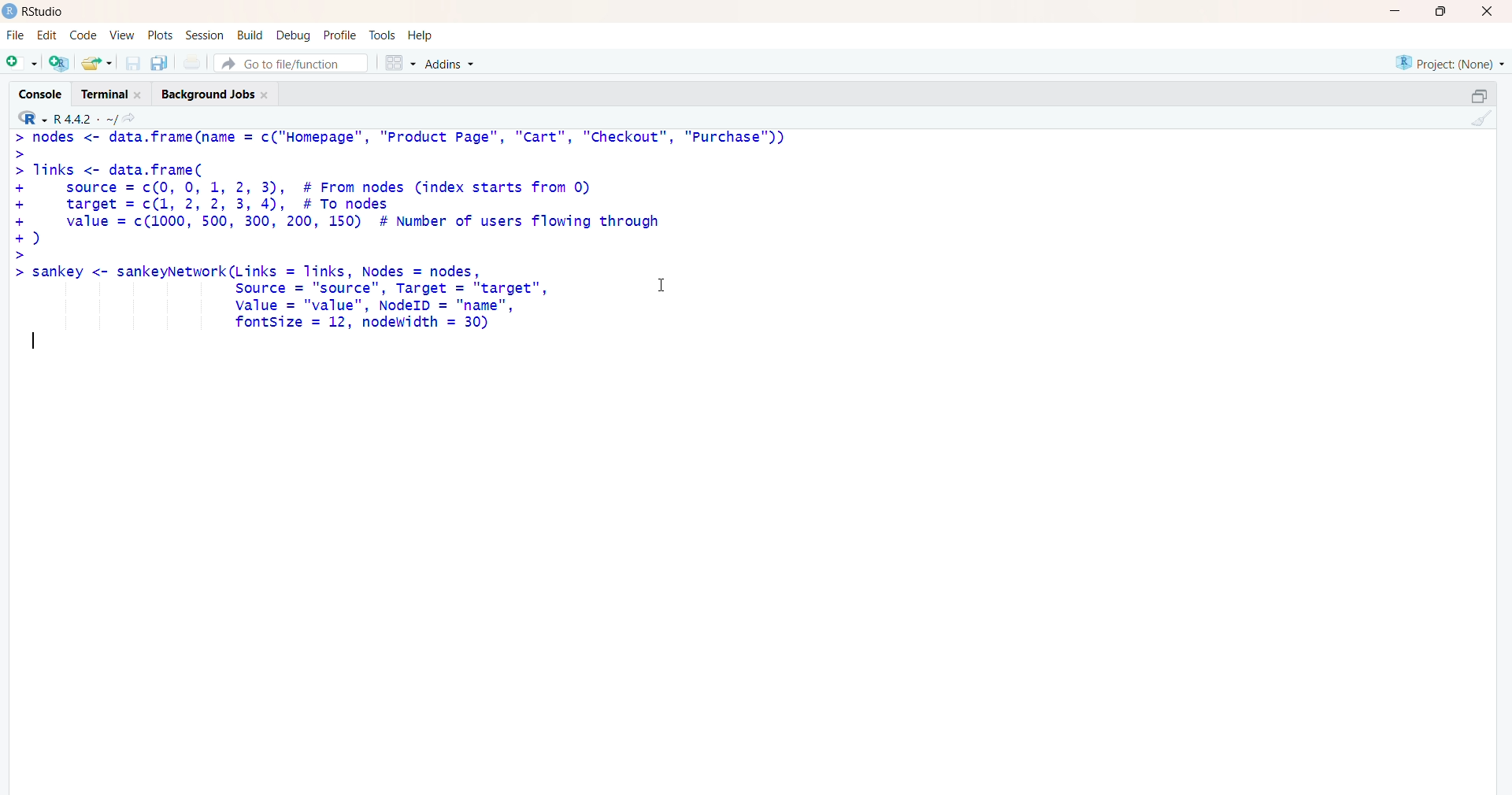  I want to click on menu, so click(20, 64).